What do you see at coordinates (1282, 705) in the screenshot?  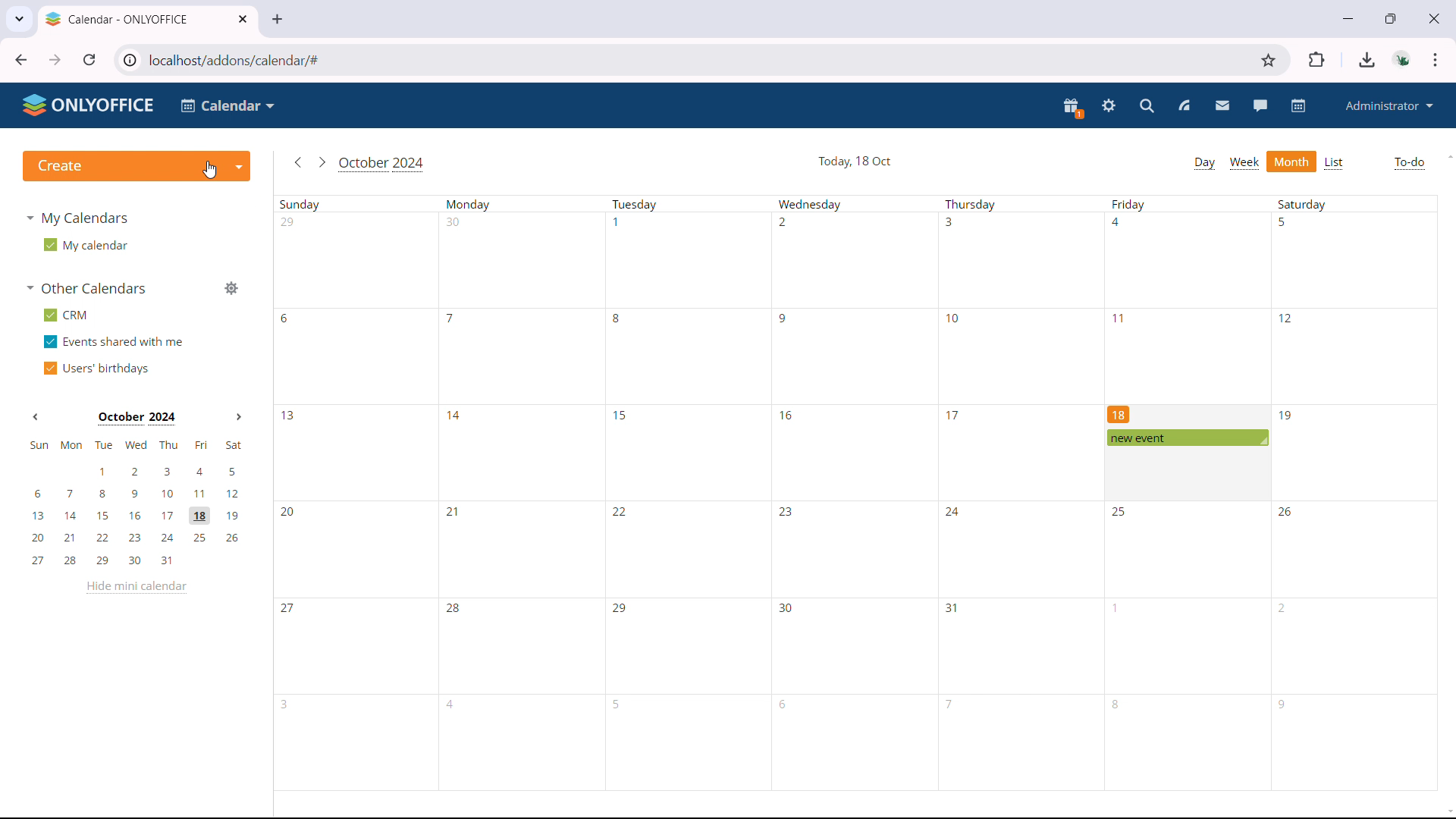 I see `9` at bounding box center [1282, 705].